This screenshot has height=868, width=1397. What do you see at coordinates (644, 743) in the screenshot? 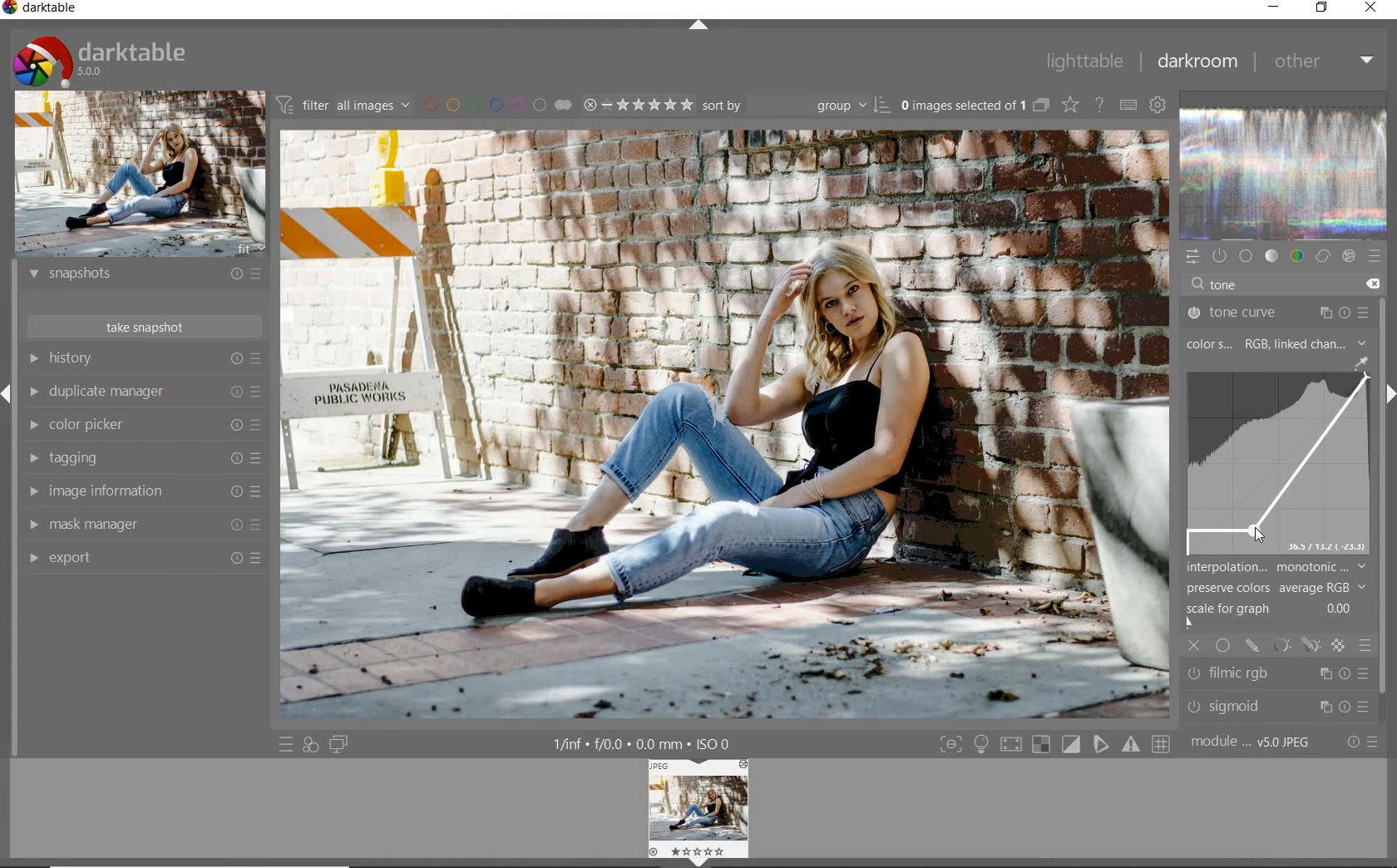
I see `other display information` at bounding box center [644, 743].